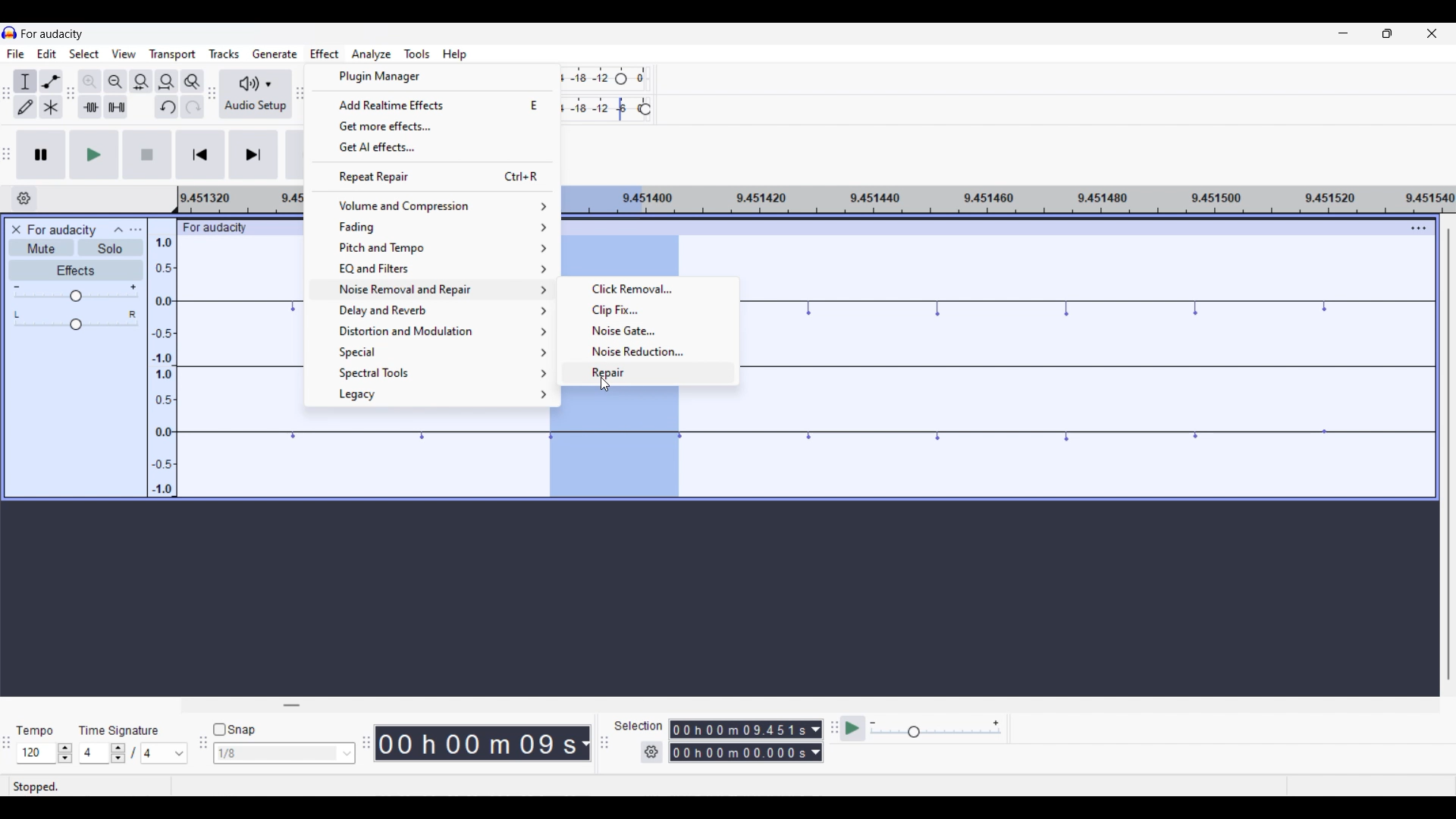 This screenshot has width=1456, height=819. Describe the element at coordinates (1419, 228) in the screenshot. I see `Track settings` at that location.